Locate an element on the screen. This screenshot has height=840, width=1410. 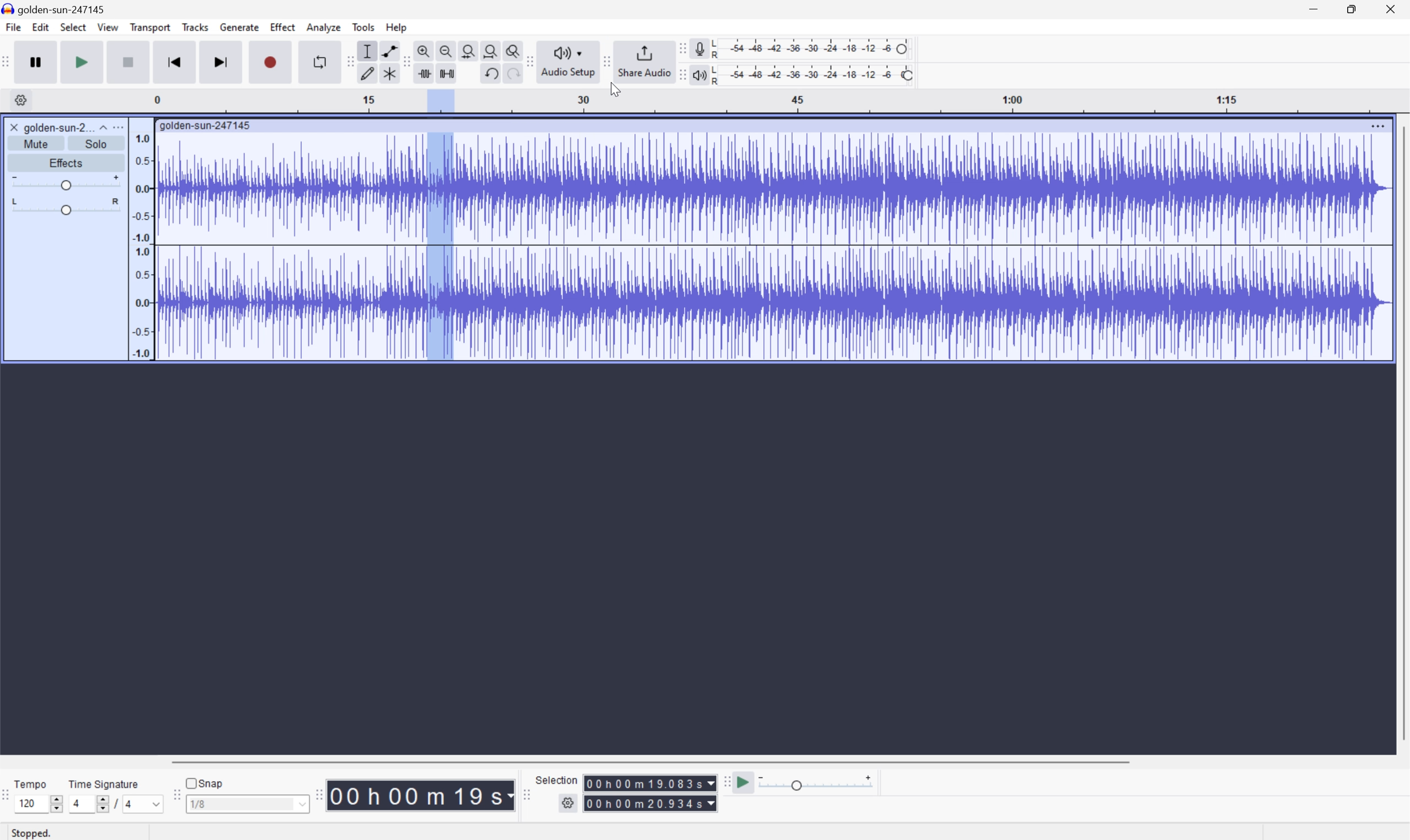
Slider is located at coordinates (63, 182).